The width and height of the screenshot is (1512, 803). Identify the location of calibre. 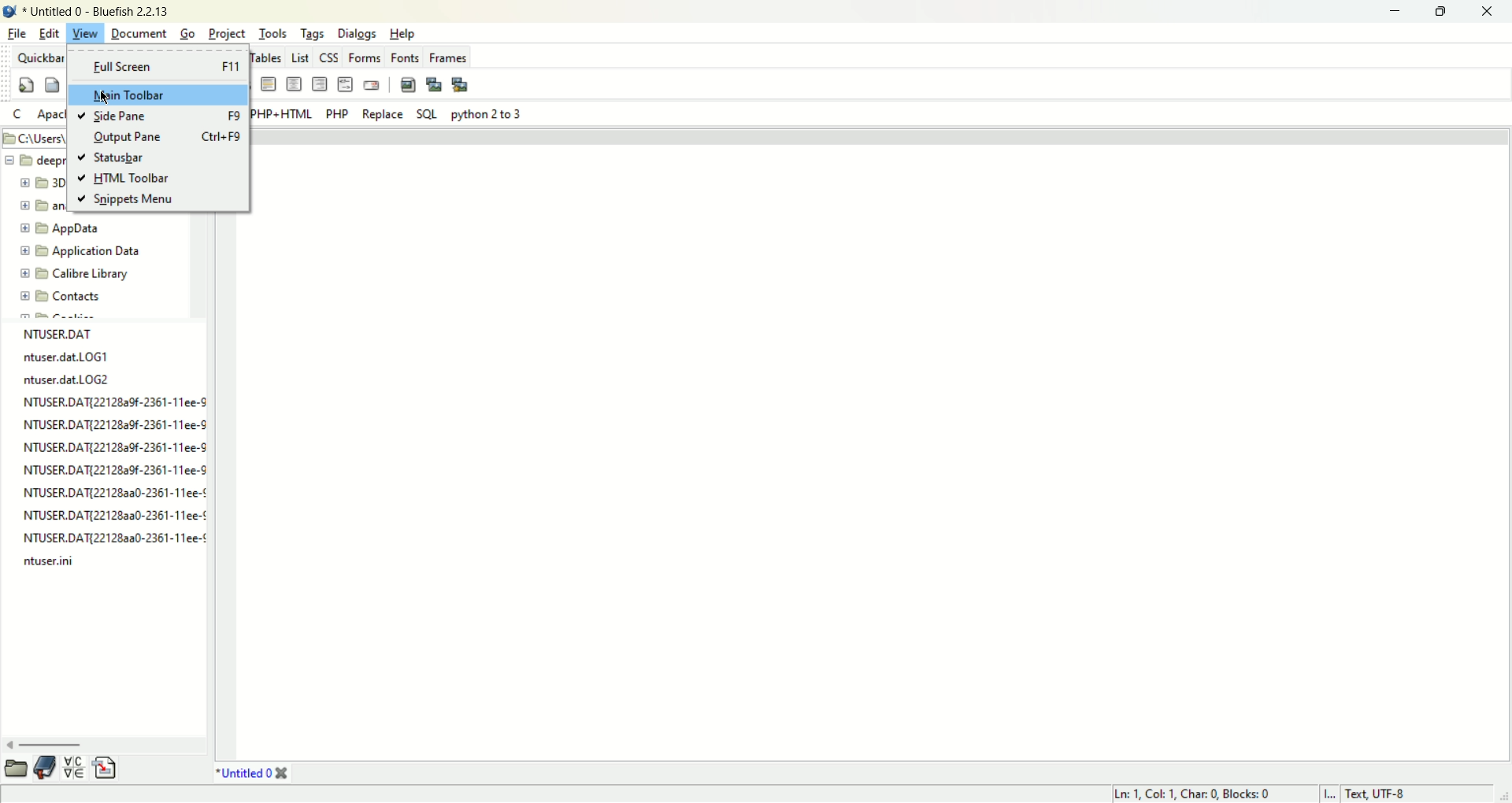
(74, 276).